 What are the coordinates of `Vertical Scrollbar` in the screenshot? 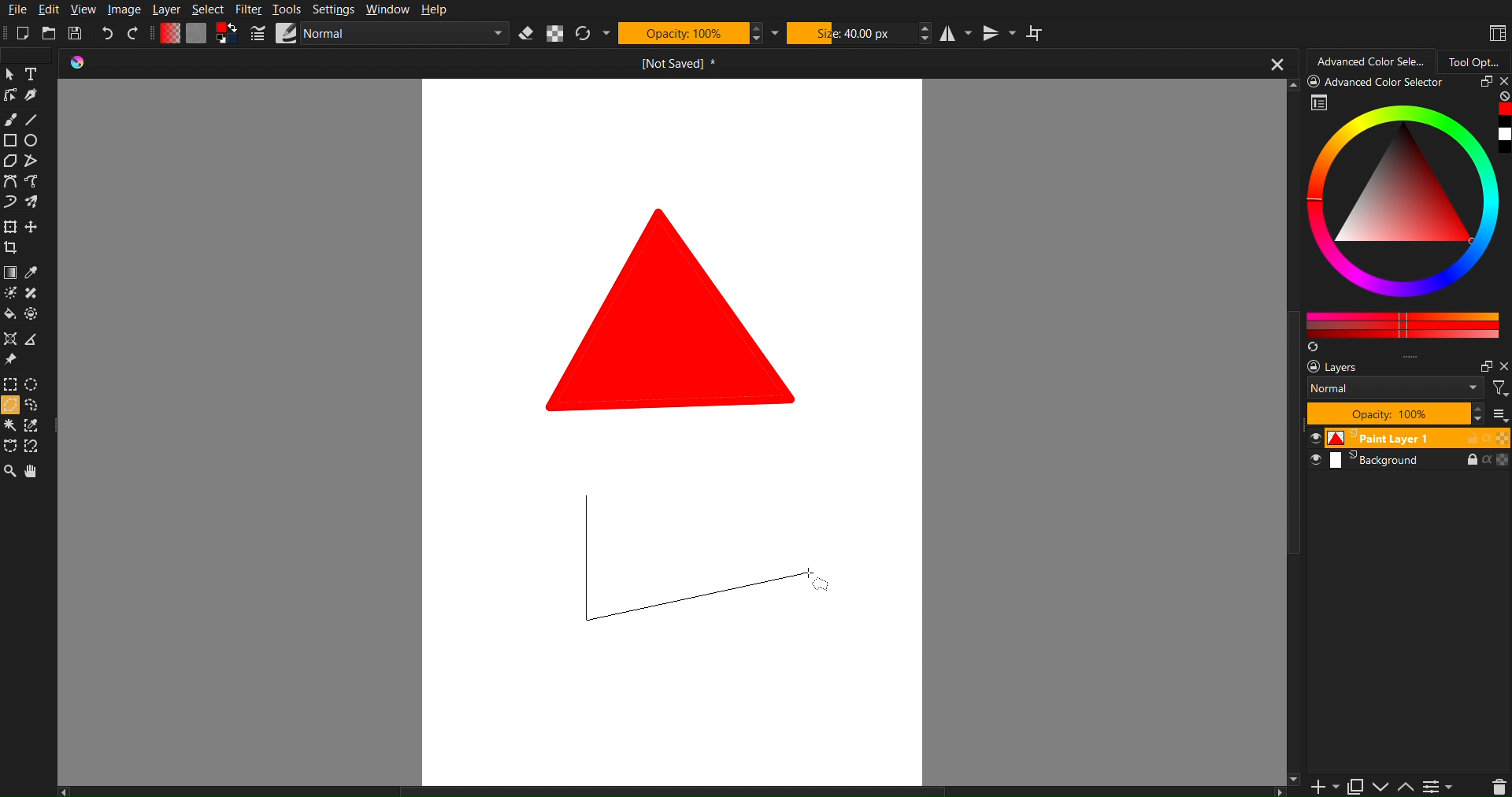 It's located at (1295, 629).